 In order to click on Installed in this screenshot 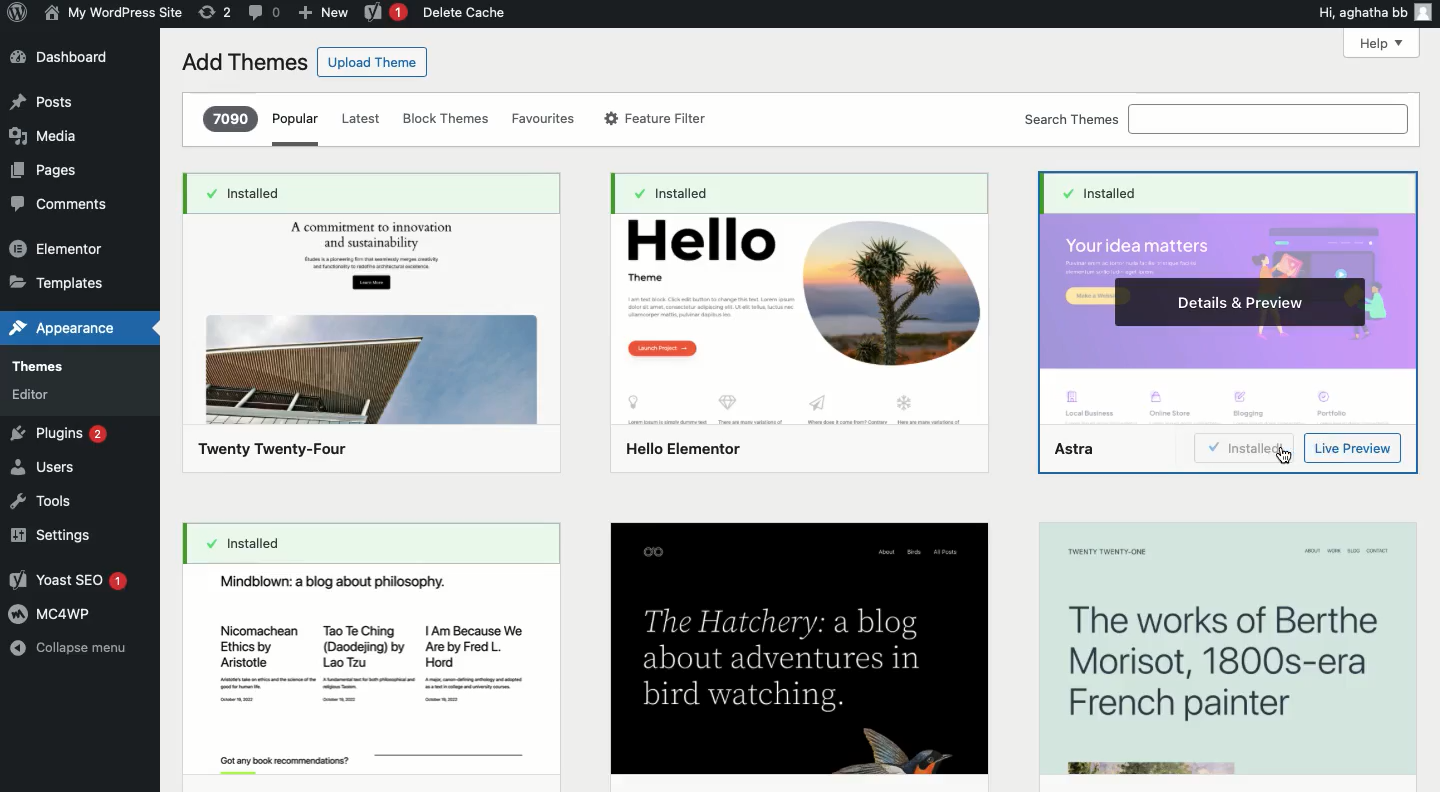, I will do `click(377, 193)`.